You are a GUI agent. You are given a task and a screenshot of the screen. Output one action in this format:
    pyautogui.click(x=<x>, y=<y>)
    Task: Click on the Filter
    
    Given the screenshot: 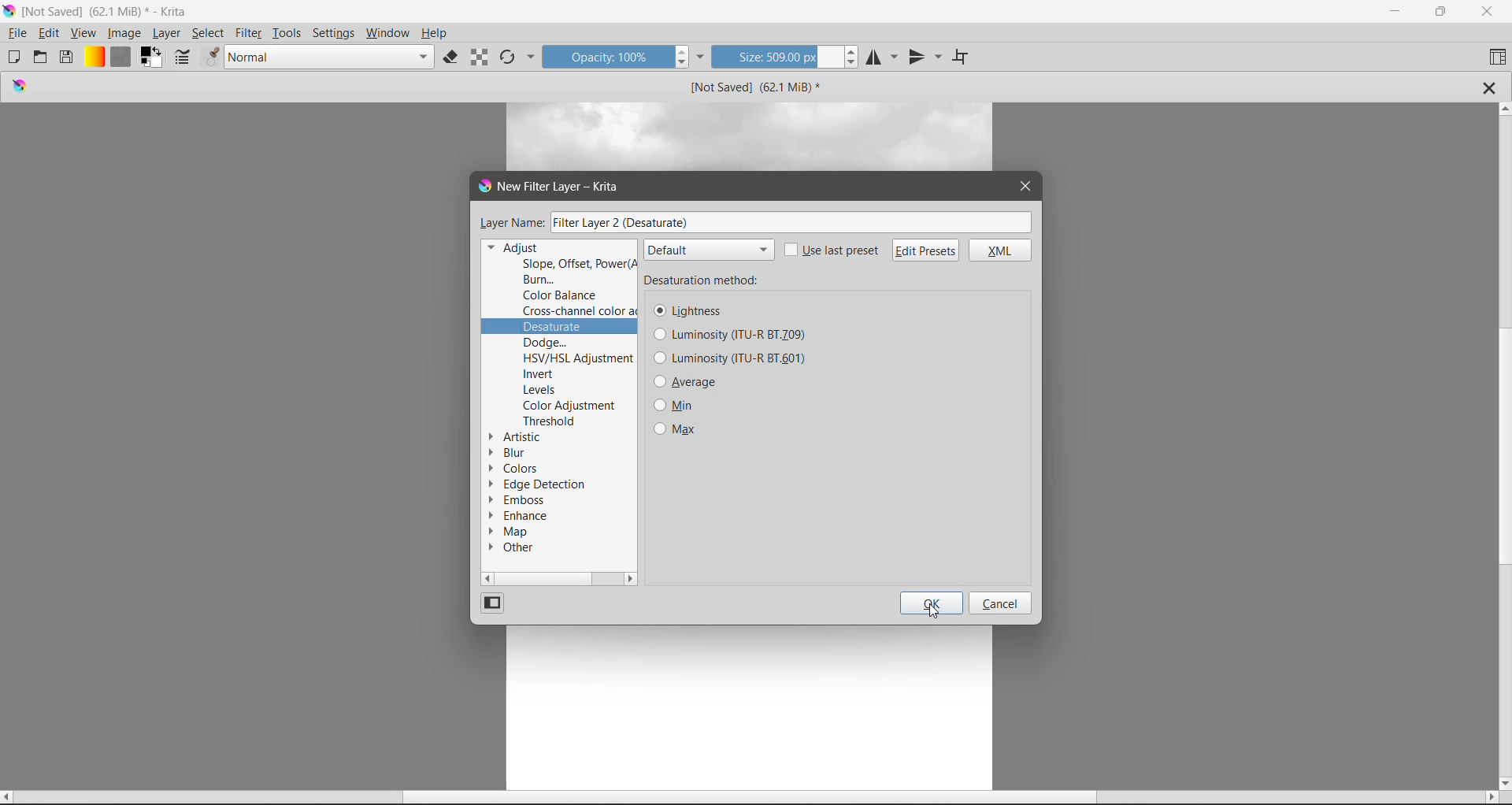 What is the action you would take?
    pyautogui.click(x=250, y=33)
    